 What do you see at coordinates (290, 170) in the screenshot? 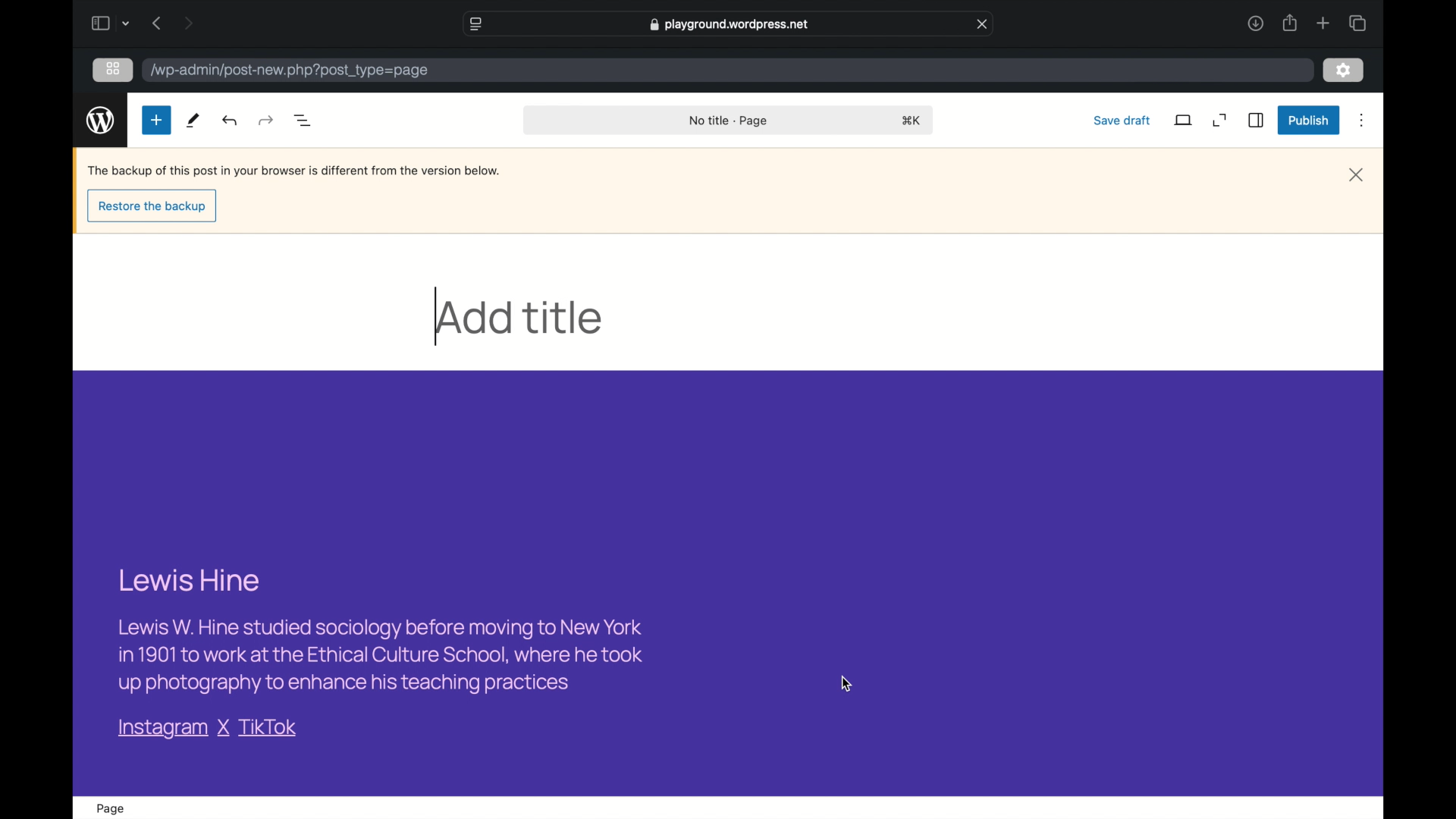
I see `The backup of this post in your browser is different from the version below.` at bounding box center [290, 170].